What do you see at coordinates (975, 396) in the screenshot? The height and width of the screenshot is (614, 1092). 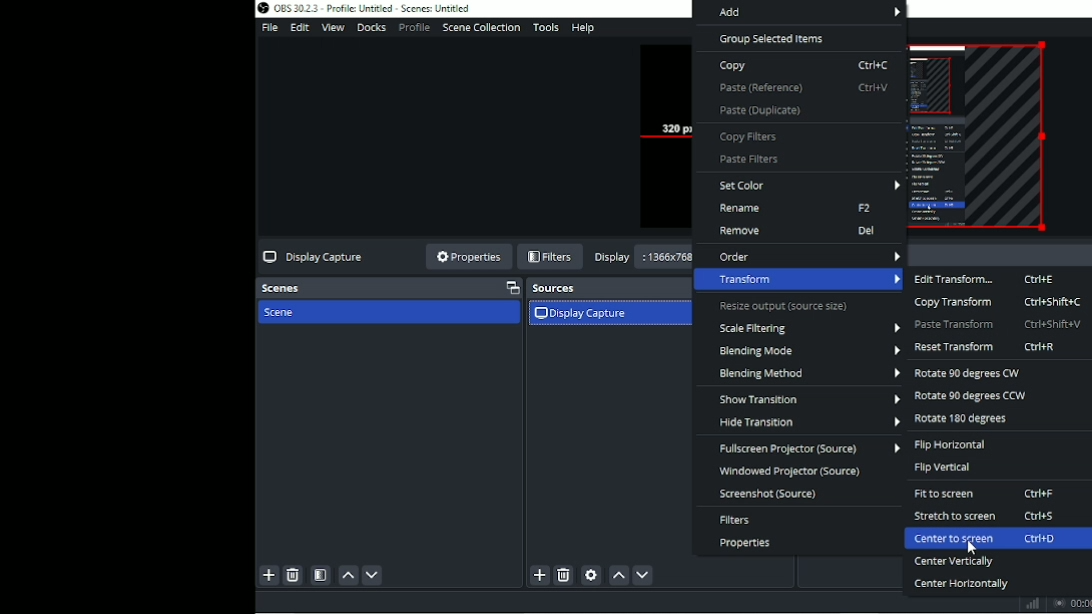 I see `Rotate 90 degrees CCW` at bounding box center [975, 396].